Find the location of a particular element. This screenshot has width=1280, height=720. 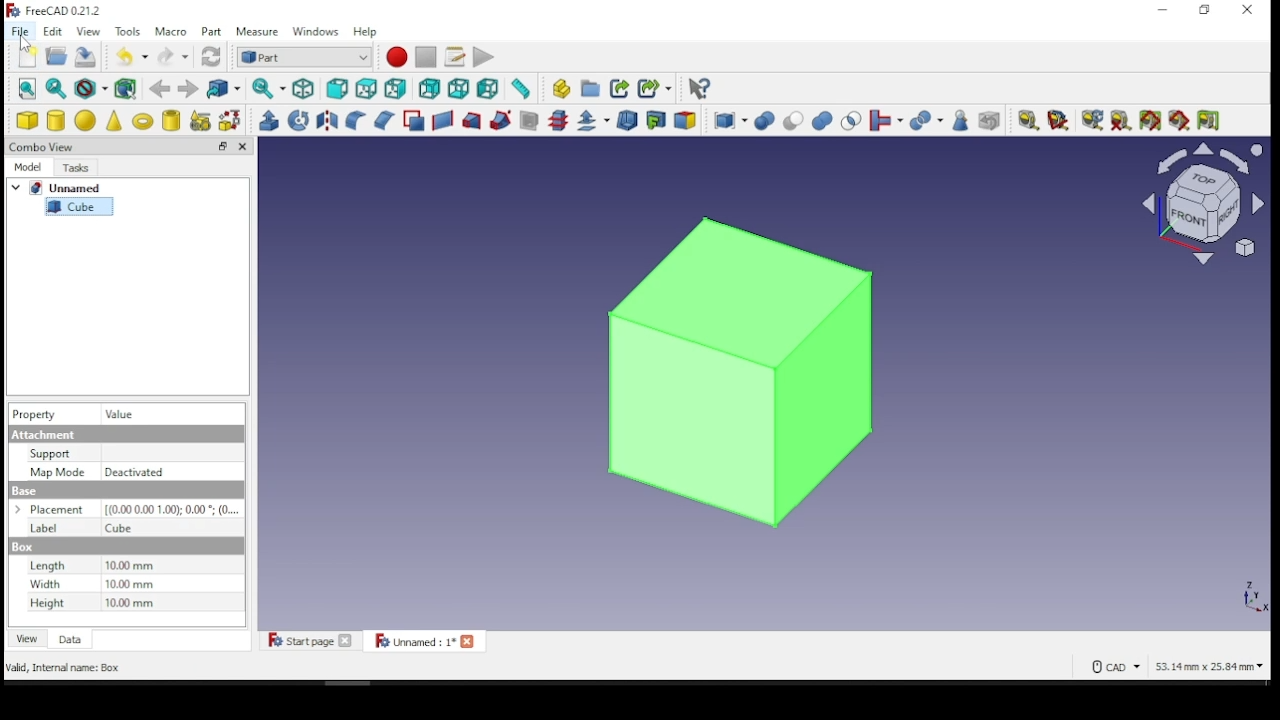

minimize is located at coordinates (1165, 10).